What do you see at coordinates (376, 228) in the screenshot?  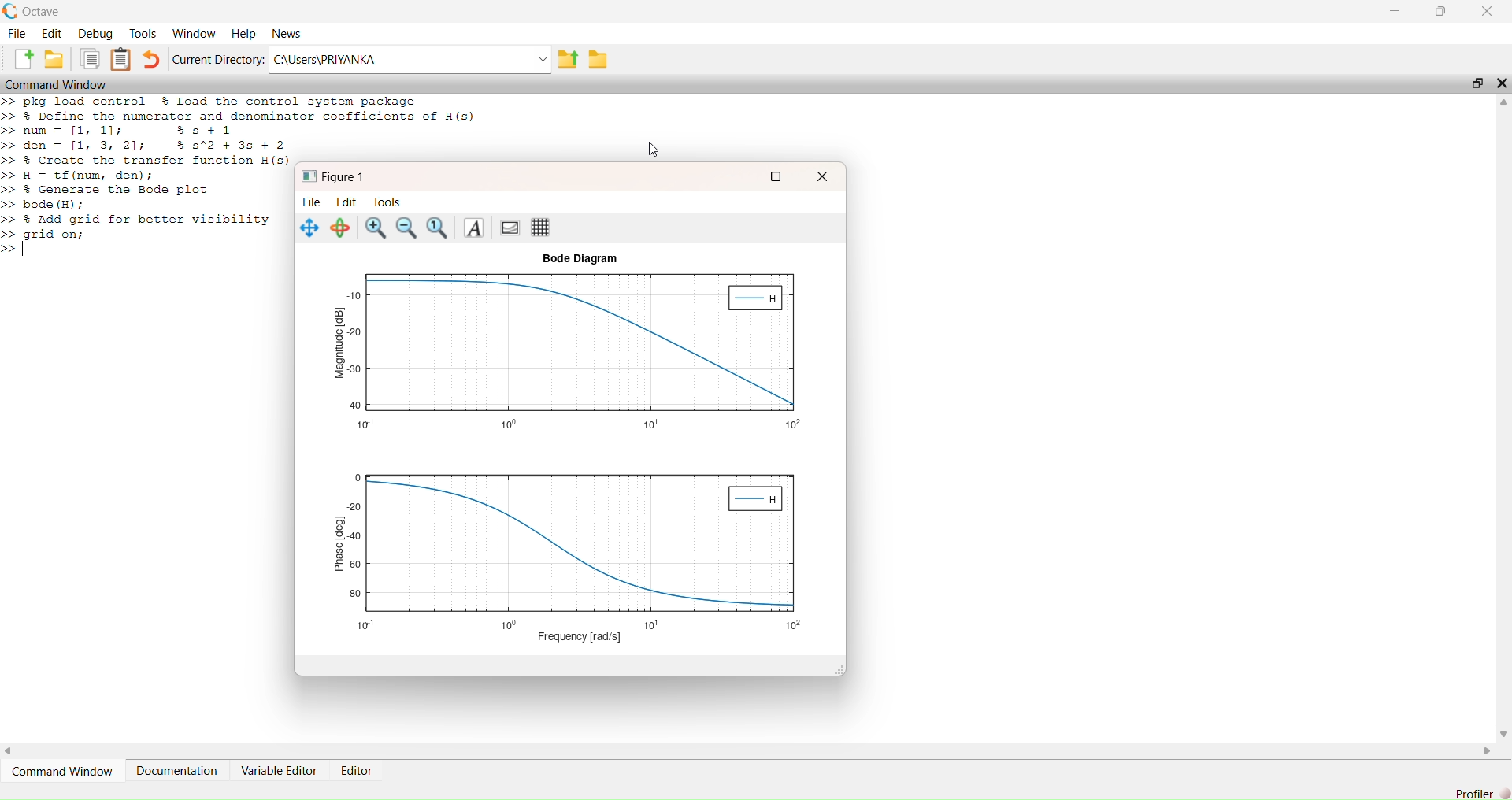 I see `Zoom in` at bounding box center [376, 228].